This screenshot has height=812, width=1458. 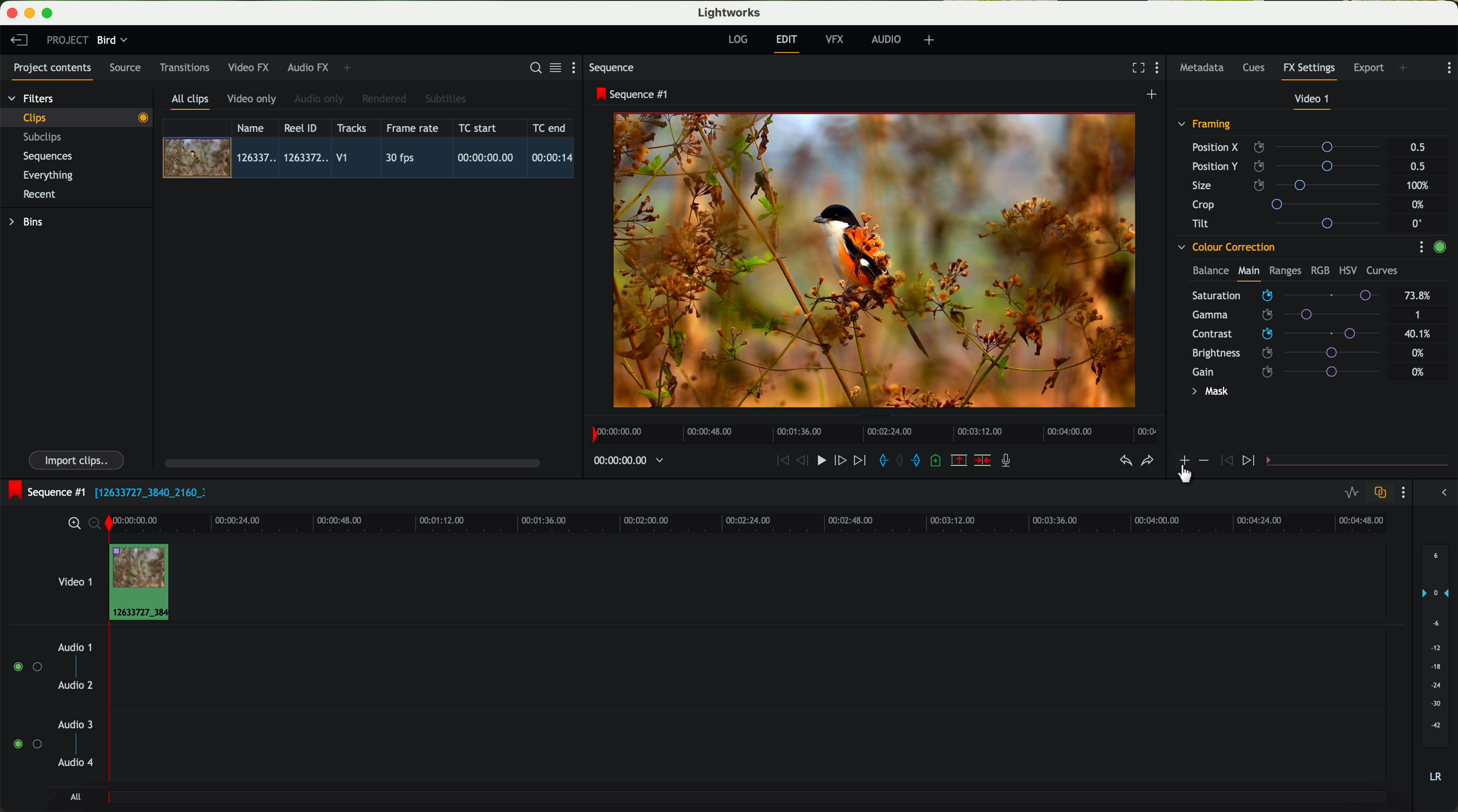 What do you see at coordinates (1440, 493) in the screenshot?
I see `show/hide the full audio mix` at bounding box center [1440, 493].